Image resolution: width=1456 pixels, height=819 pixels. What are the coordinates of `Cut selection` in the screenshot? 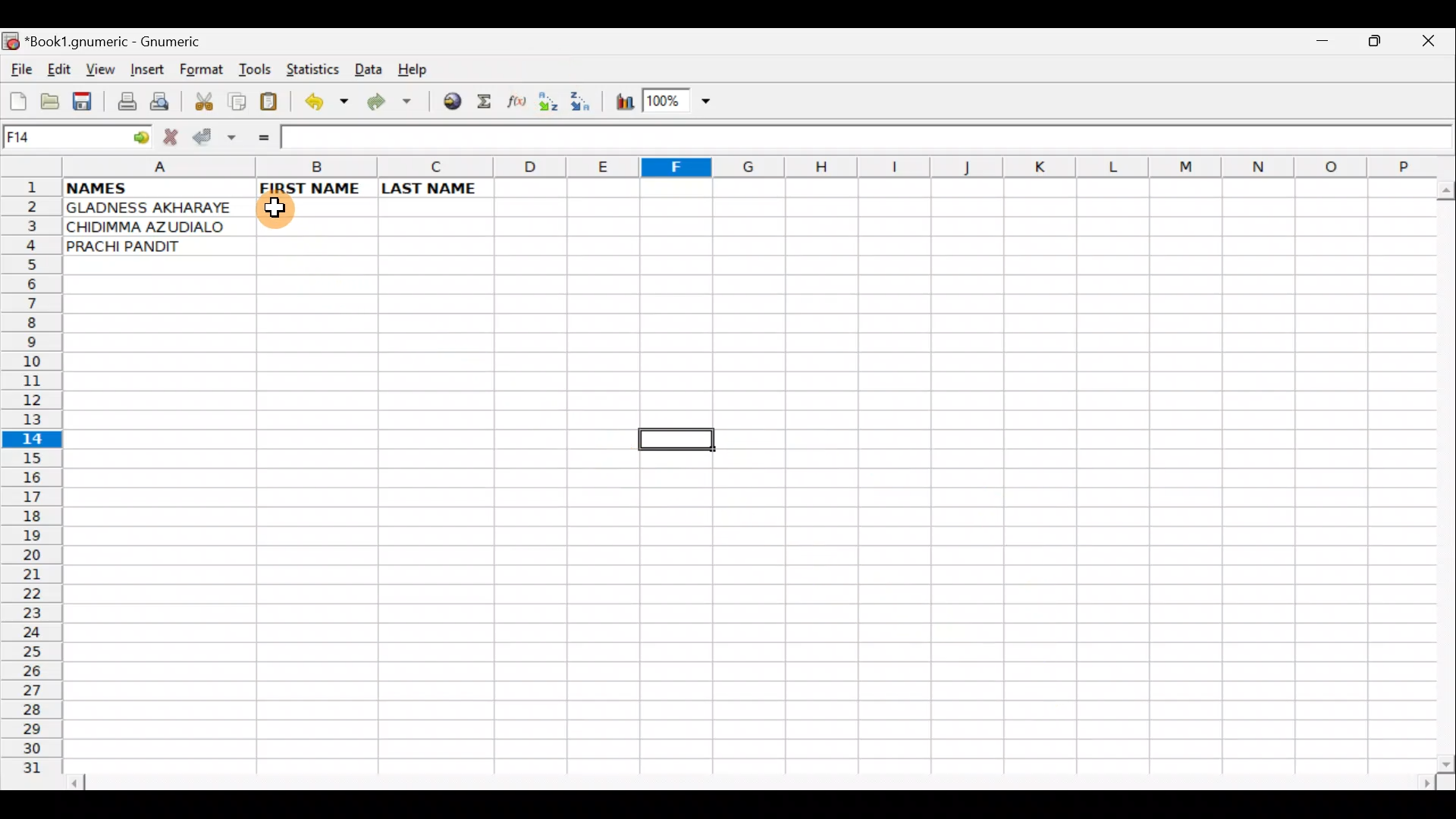 It's located at (203, 99).